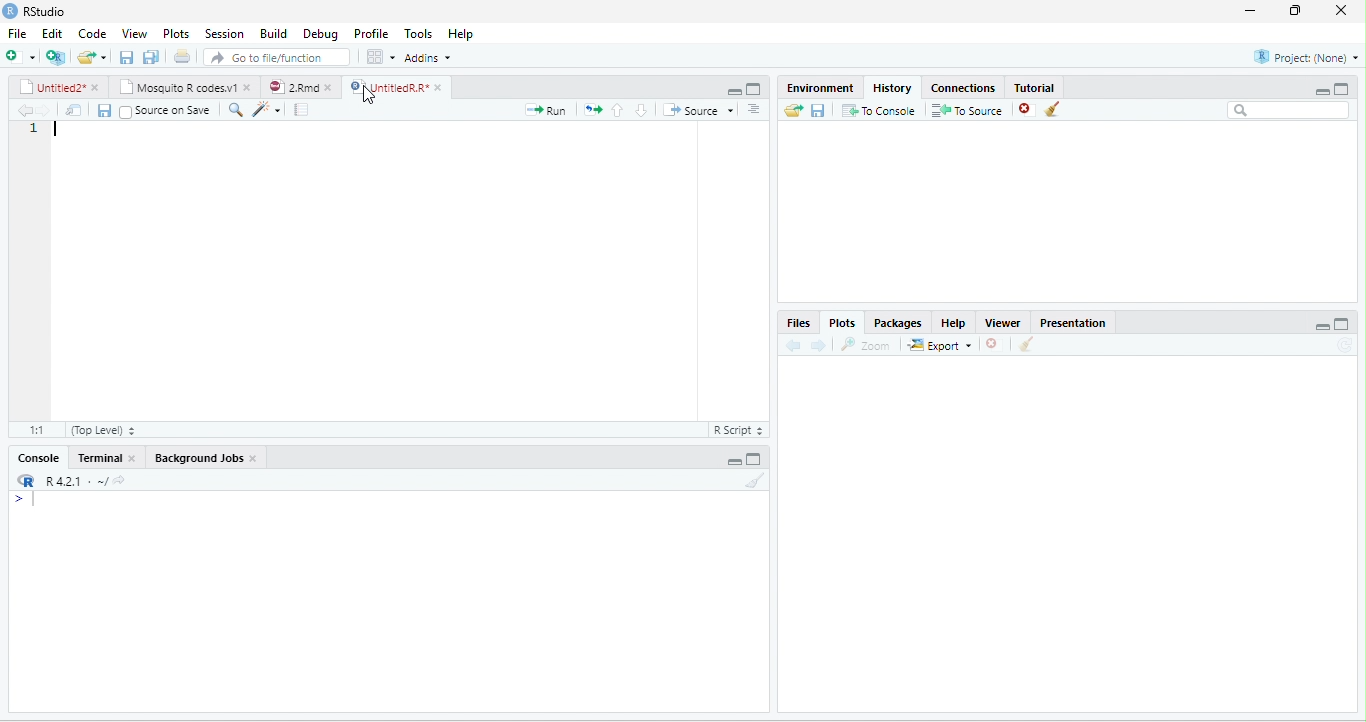 This screenshot has height=722, width=1366. What do you see at coordinates (1348, 86) in the screenshot?
I see `aximize ` at bounding box center [1348, 86].